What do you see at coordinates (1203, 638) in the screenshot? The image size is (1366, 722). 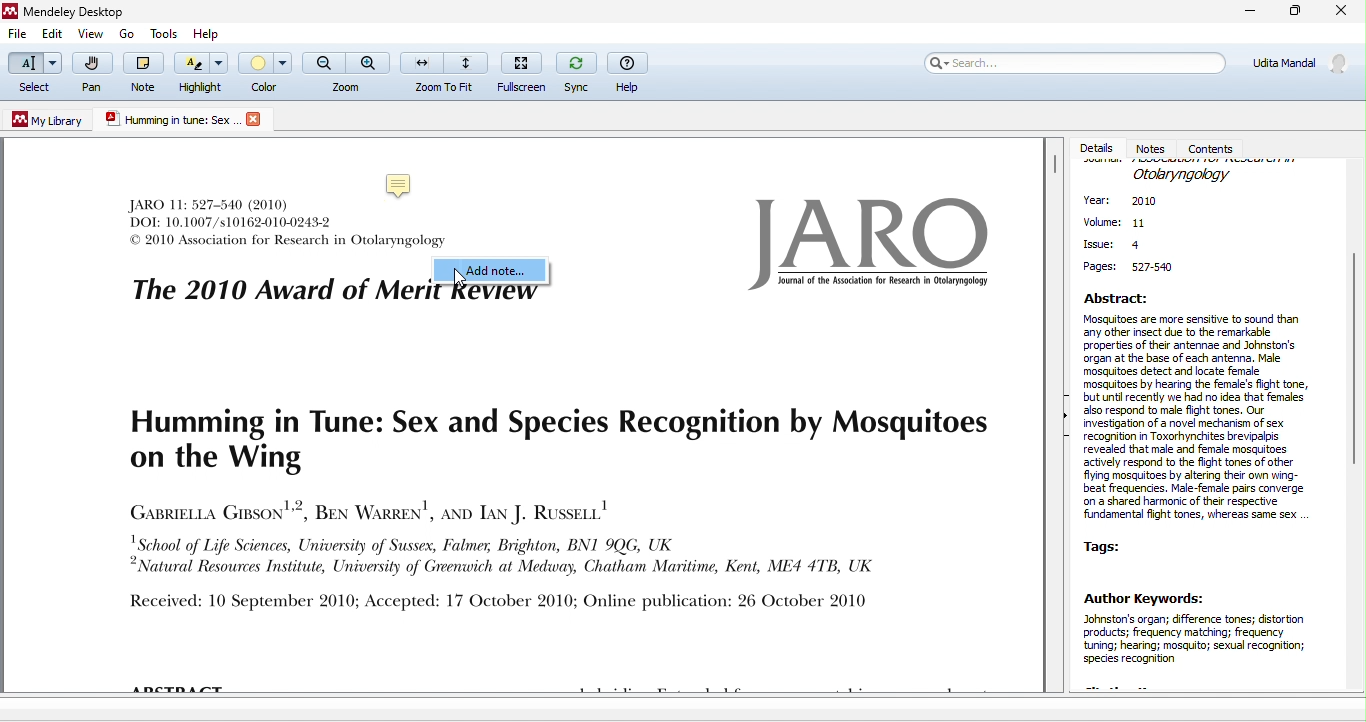 I see `author keywords` at bounding box center [1203, 638].